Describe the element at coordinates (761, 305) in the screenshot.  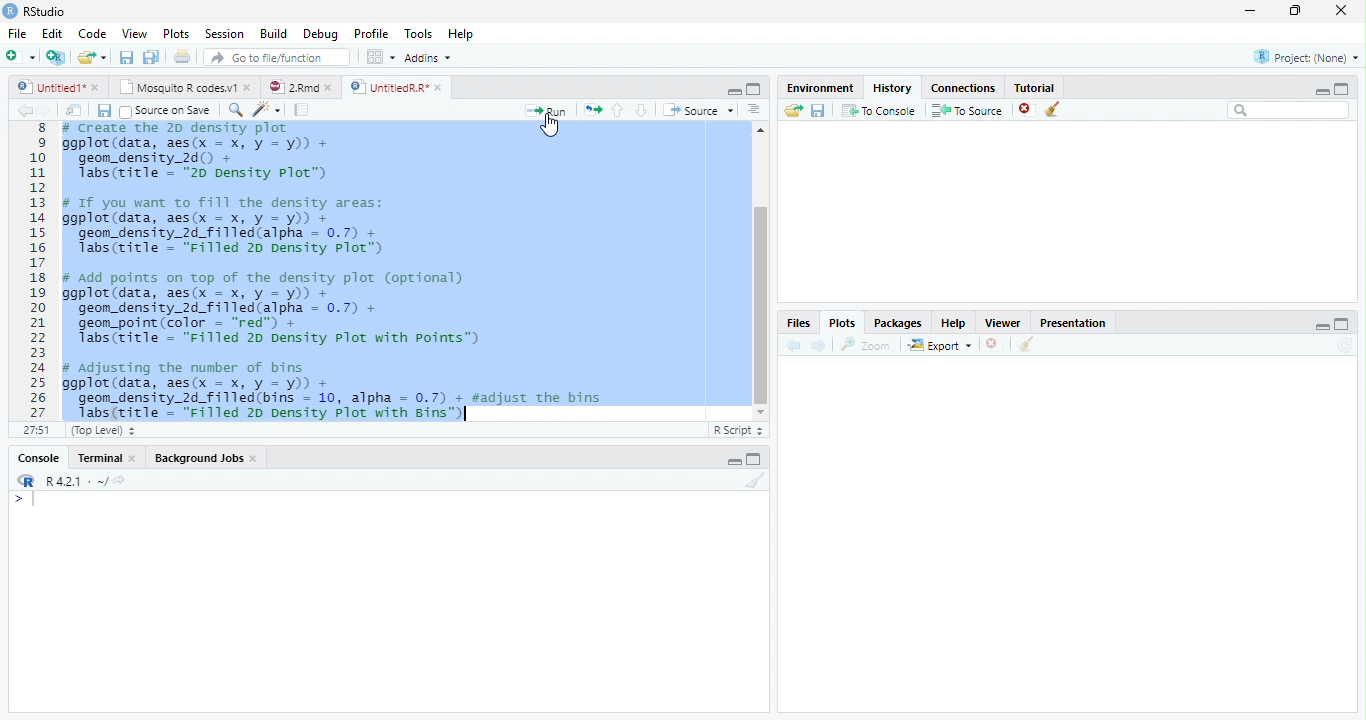
I see `vertical Scrollbar` at that location.